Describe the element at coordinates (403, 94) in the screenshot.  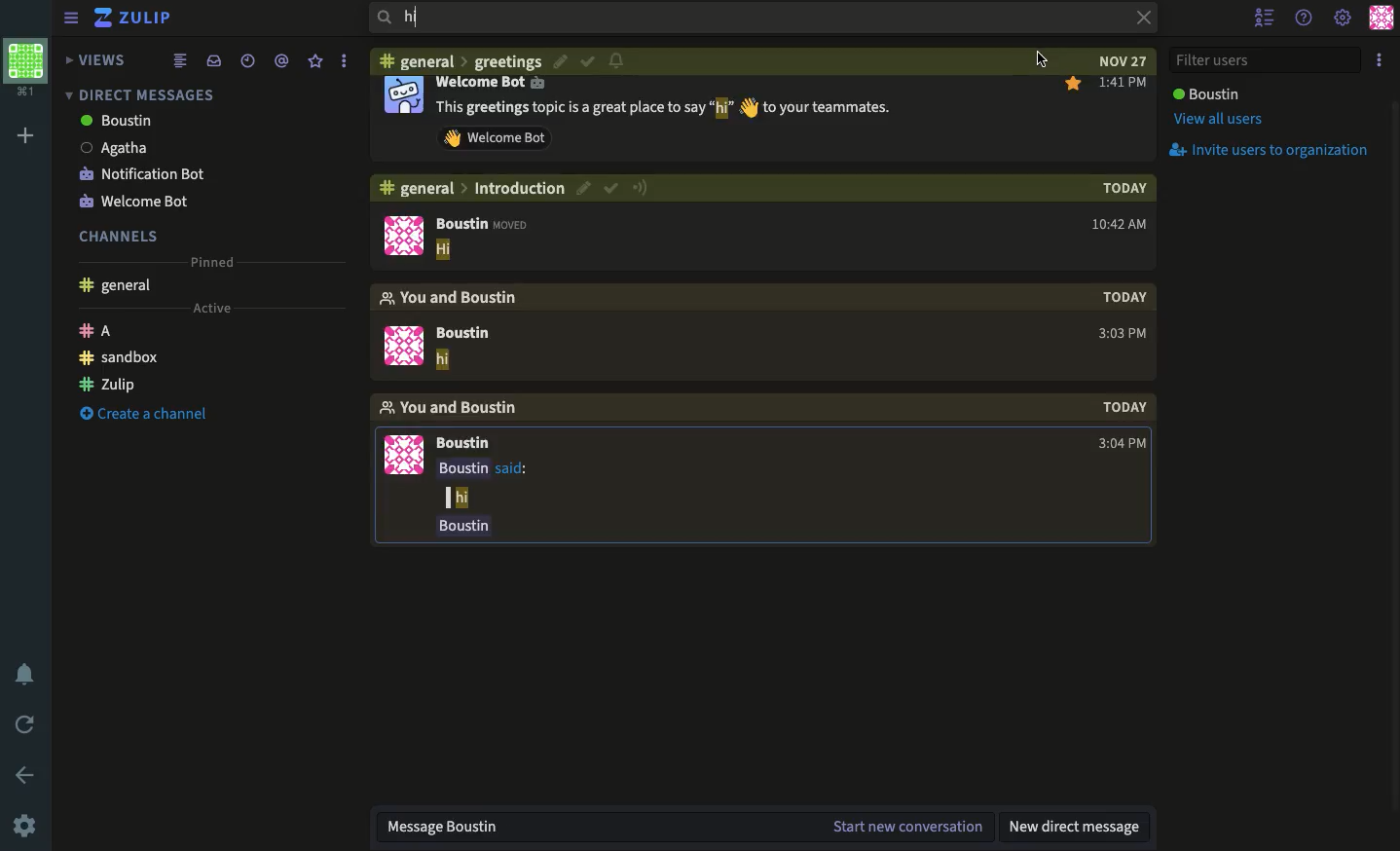
I see `display picture` at that location.